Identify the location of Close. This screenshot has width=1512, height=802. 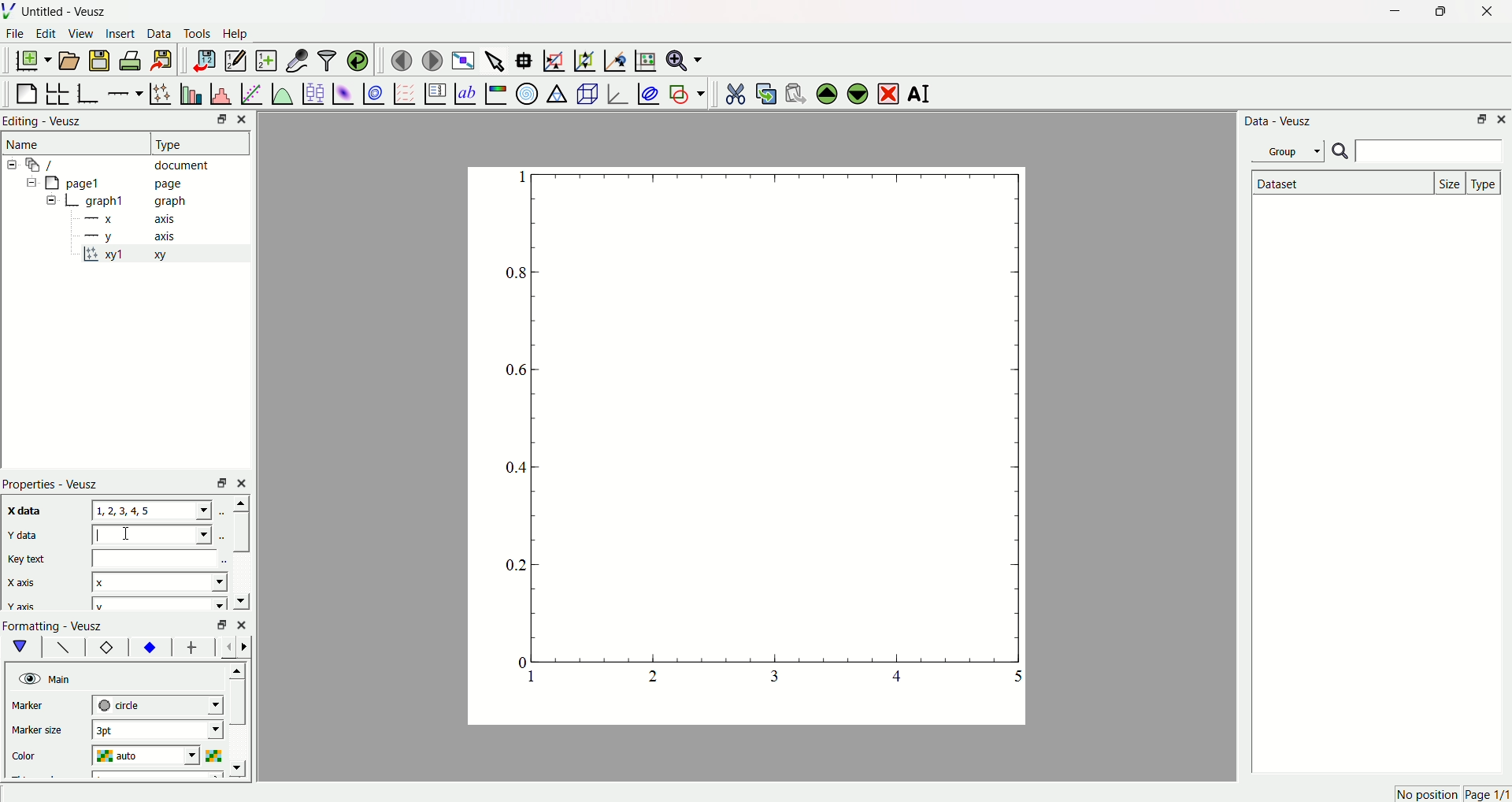
(1503, 120).